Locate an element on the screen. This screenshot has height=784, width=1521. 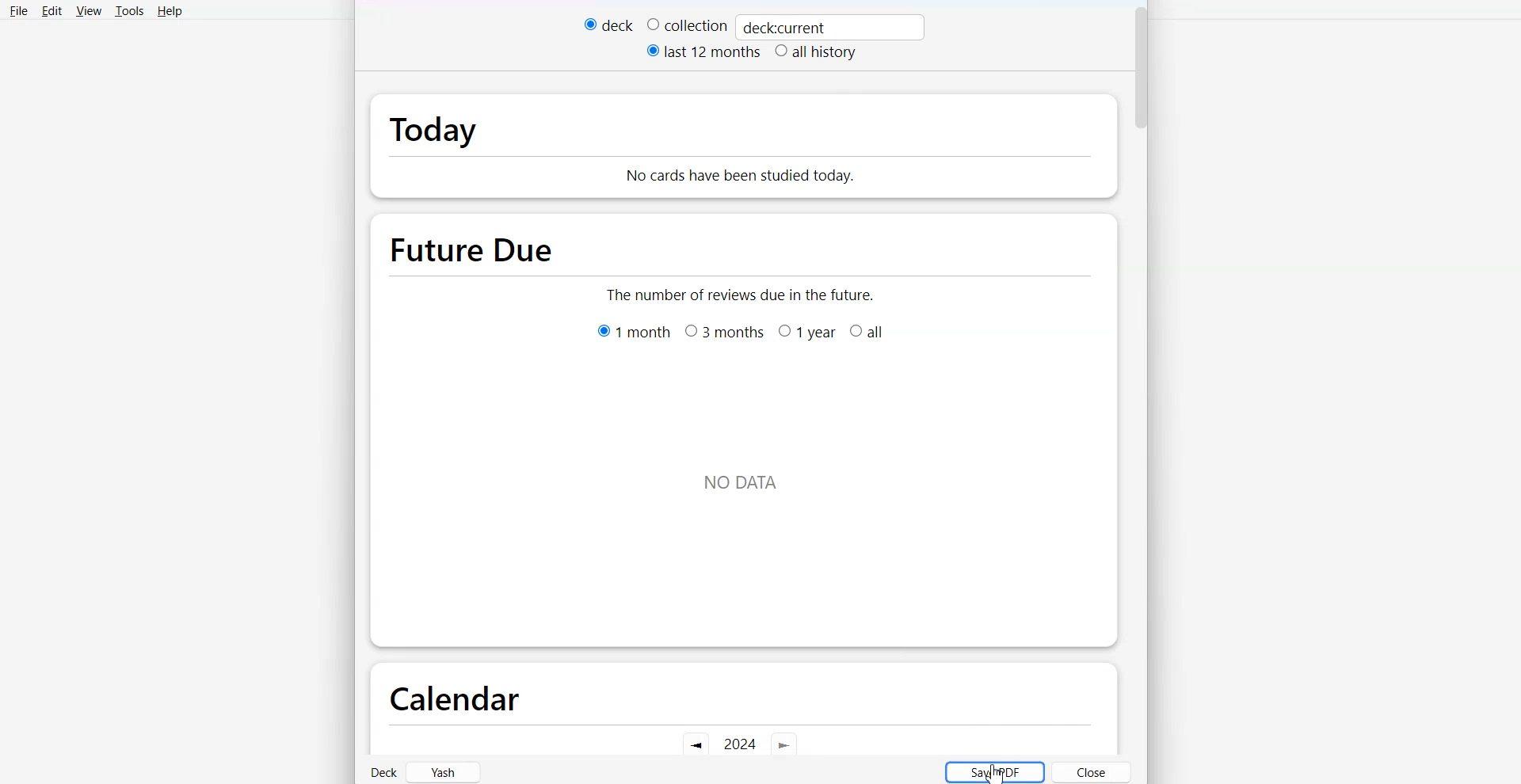
Collection is located at coordinates (687, 25).